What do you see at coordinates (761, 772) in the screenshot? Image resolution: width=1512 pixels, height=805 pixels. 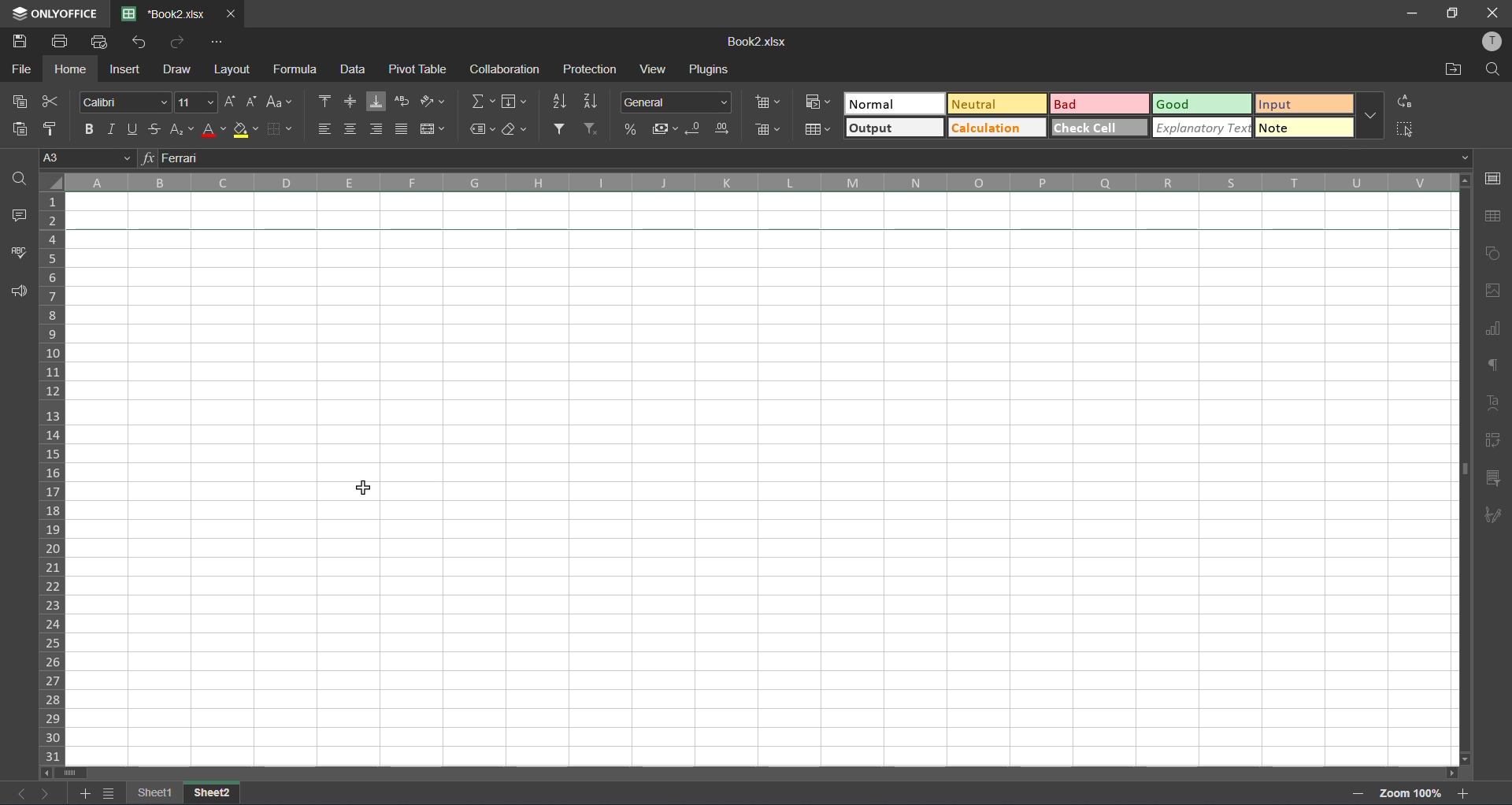 I see `Scroll bar` at bounding box center [761, 772].